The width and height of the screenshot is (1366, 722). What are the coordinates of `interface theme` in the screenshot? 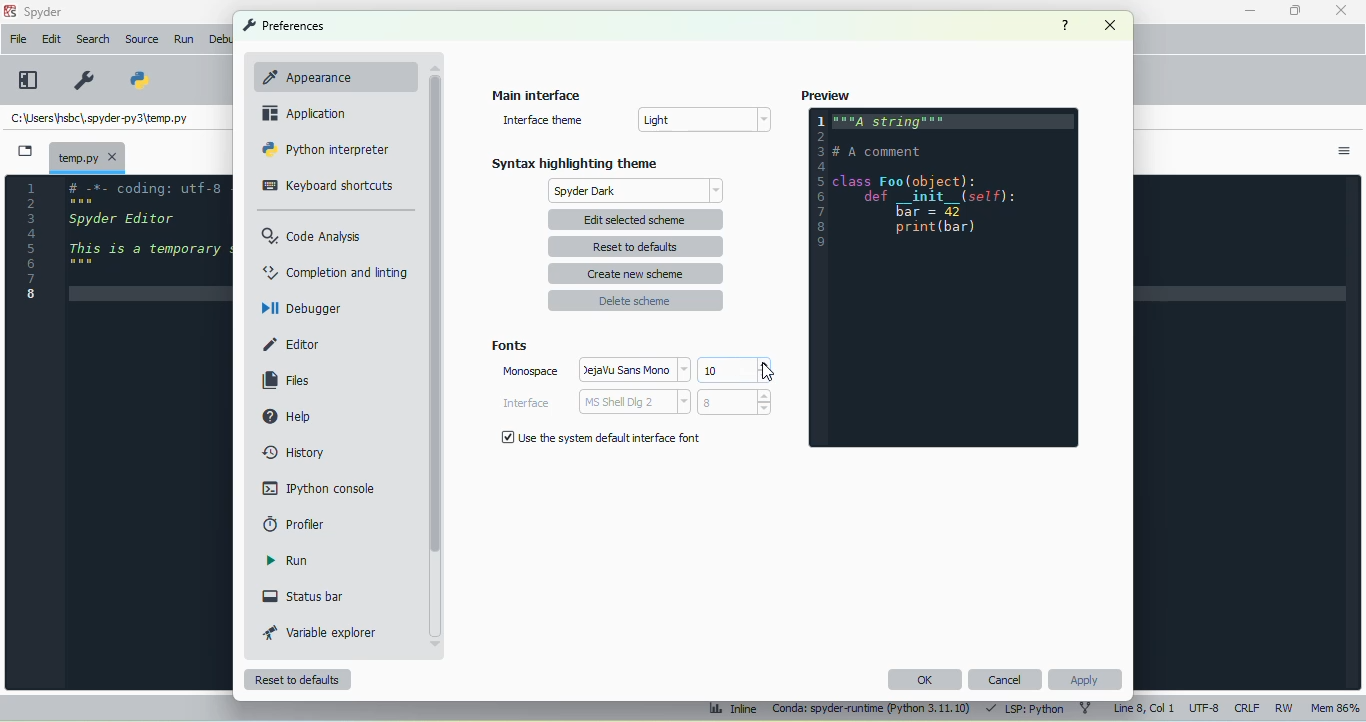 It's located at (542, 120).